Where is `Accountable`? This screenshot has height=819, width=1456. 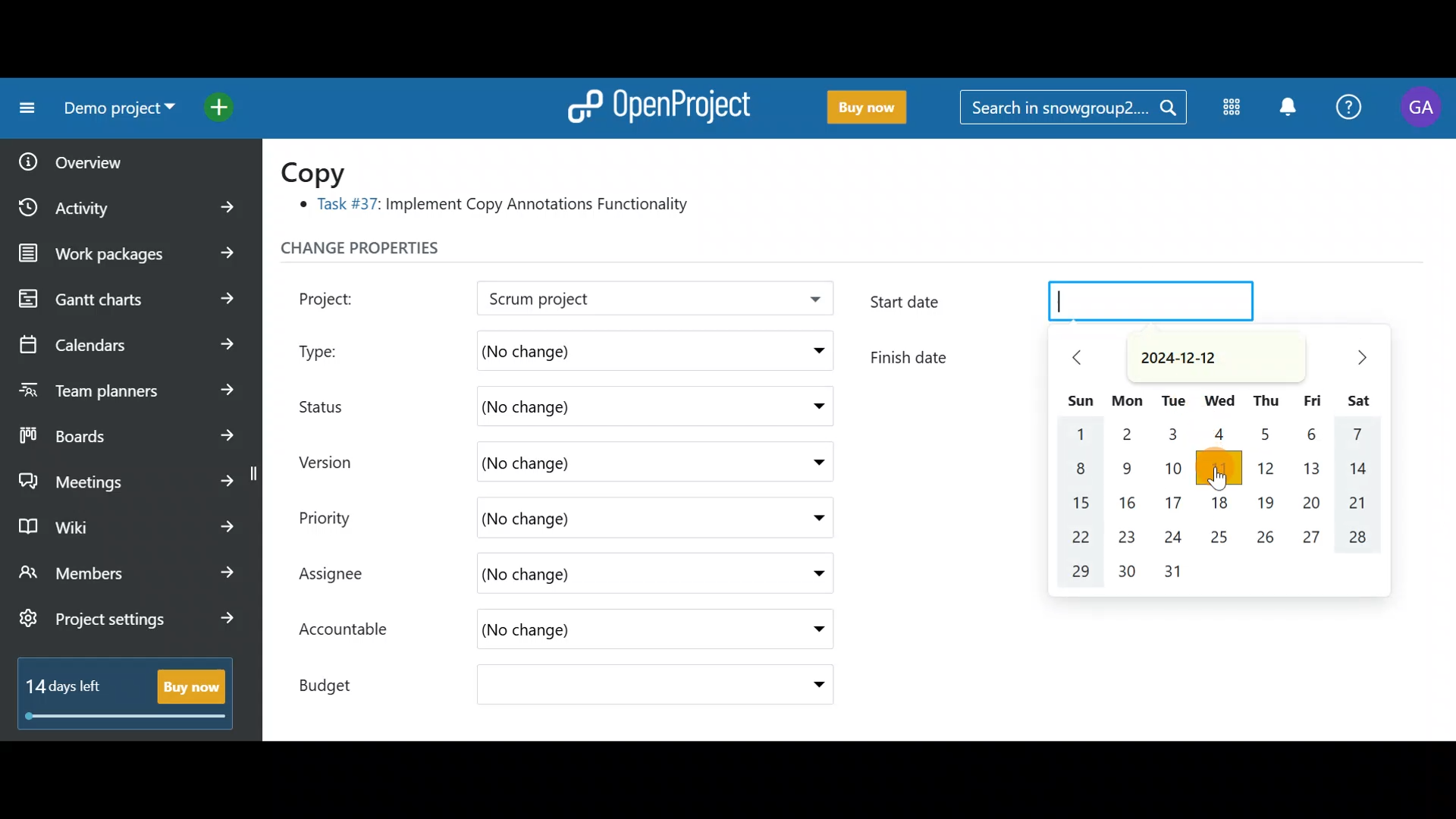 Accountable is located at coordinates (351, 631).